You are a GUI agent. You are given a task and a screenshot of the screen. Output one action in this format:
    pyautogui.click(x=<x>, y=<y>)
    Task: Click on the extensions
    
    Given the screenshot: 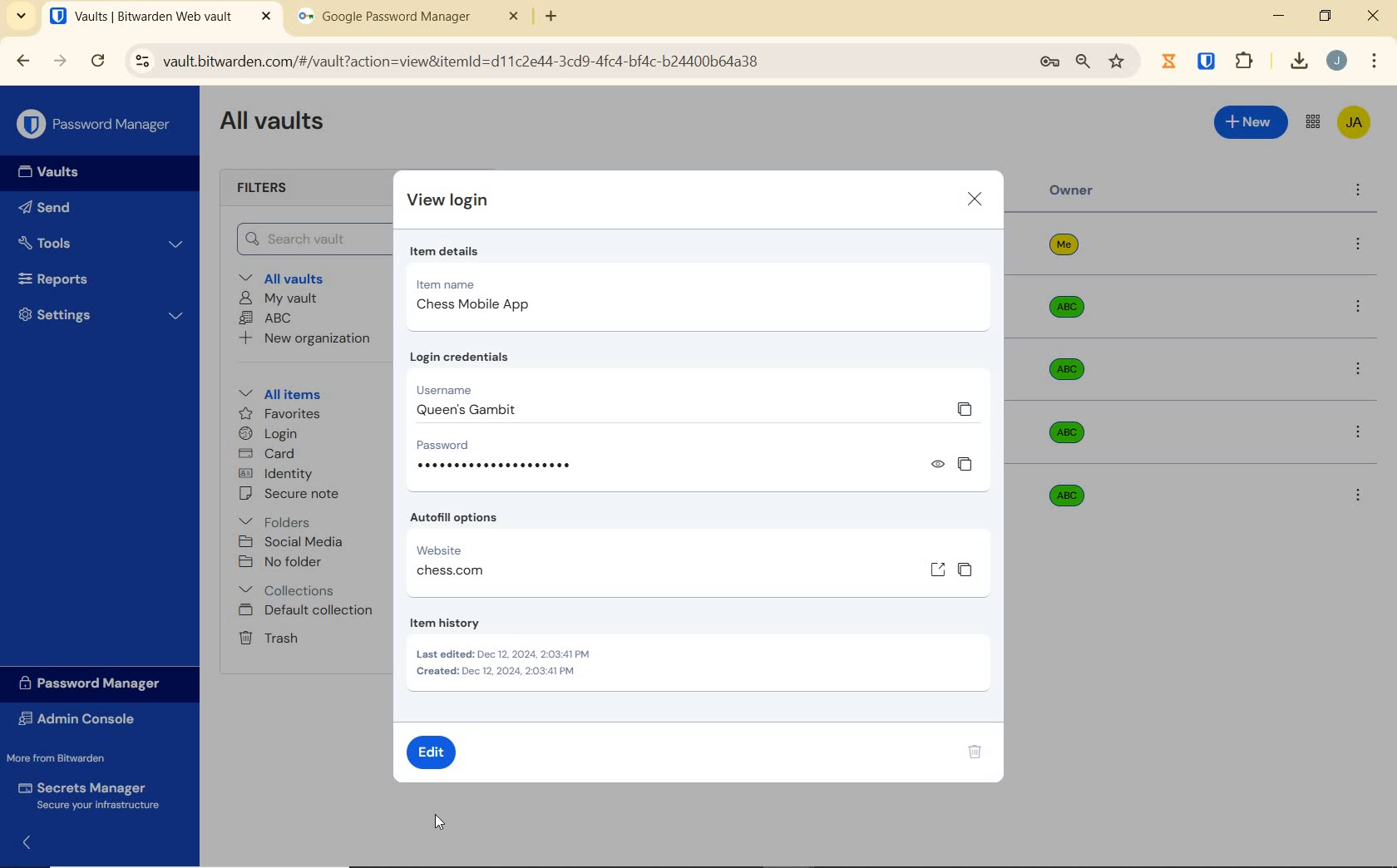 What is the action you would take?
    pyautogui.click(x=1208, y=60)
    